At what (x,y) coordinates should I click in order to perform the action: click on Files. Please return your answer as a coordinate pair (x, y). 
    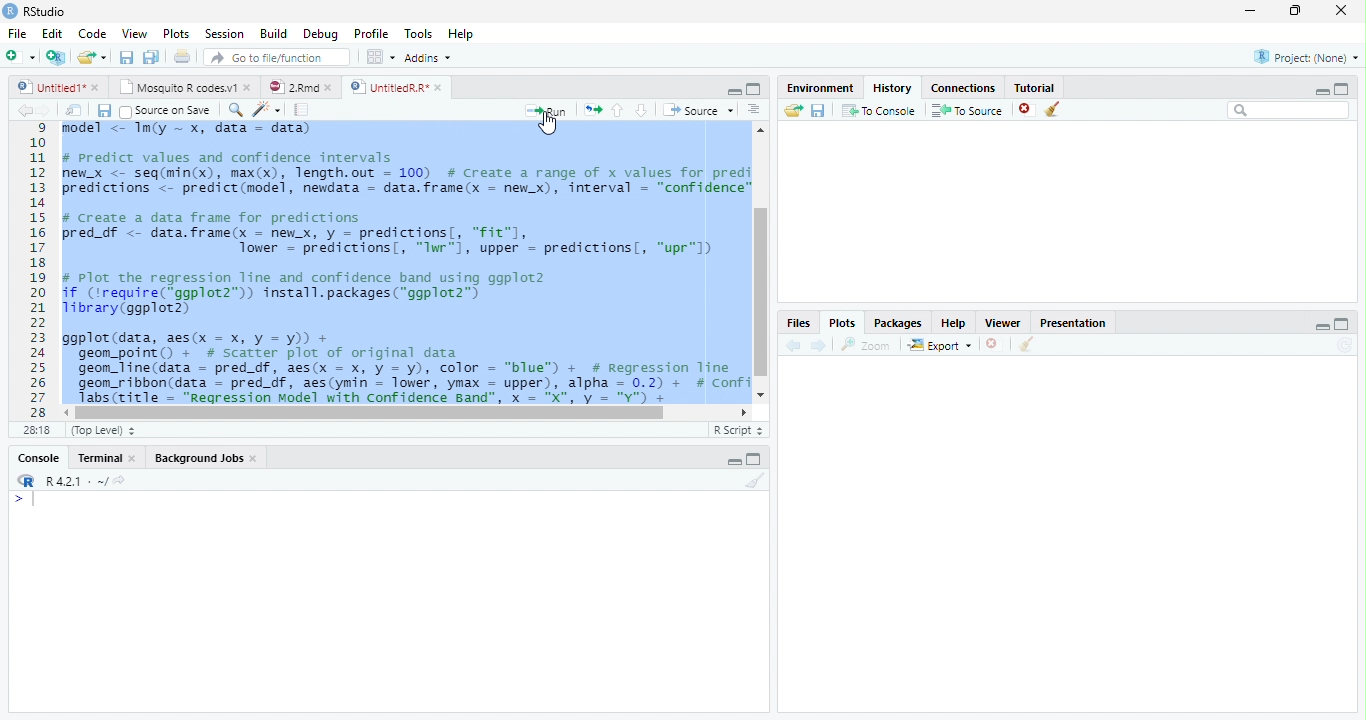
    Looking at the image, I should click on (800, 322).